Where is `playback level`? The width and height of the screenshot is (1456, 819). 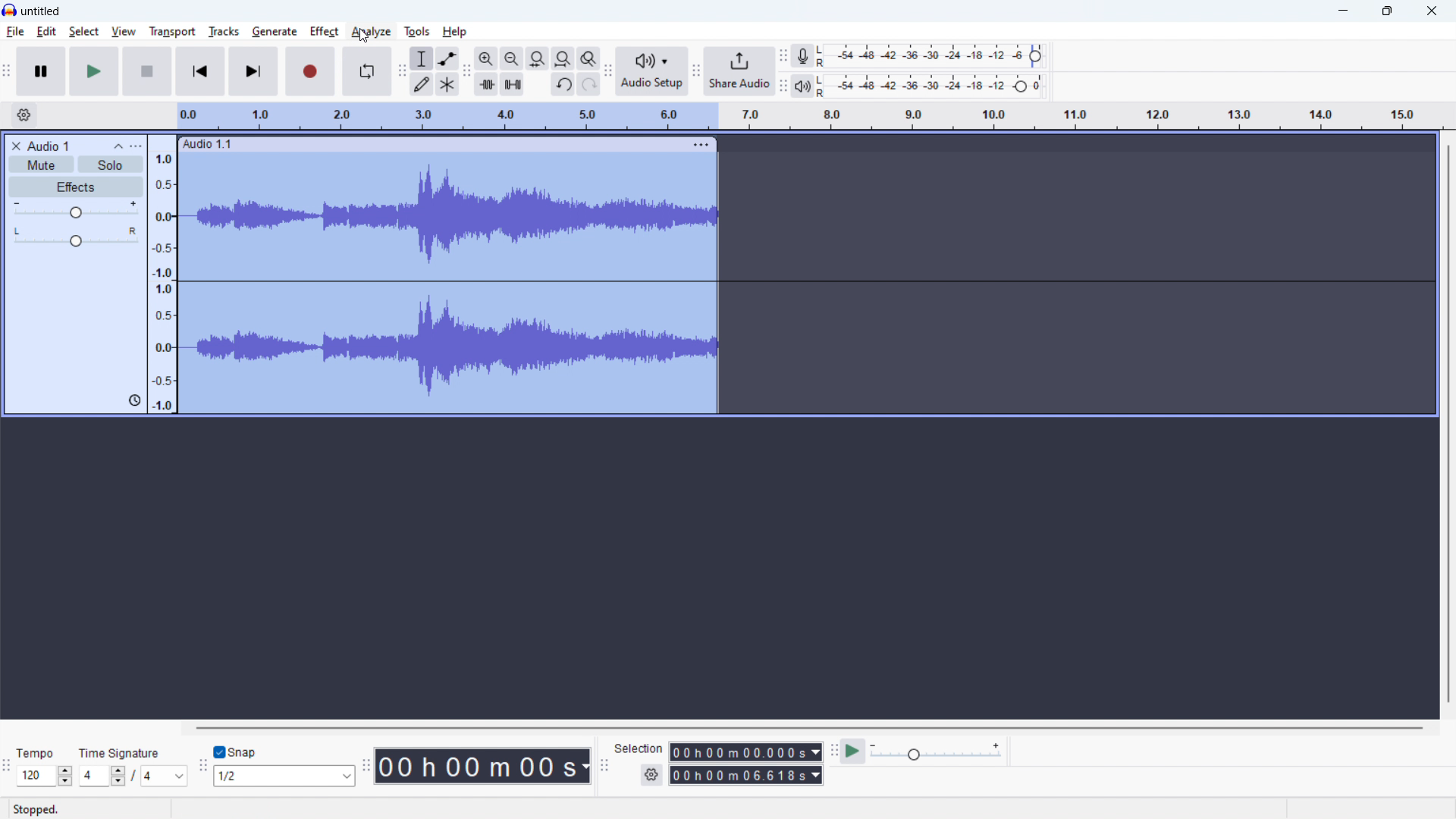 playback level is located at coordinates (934, 86).